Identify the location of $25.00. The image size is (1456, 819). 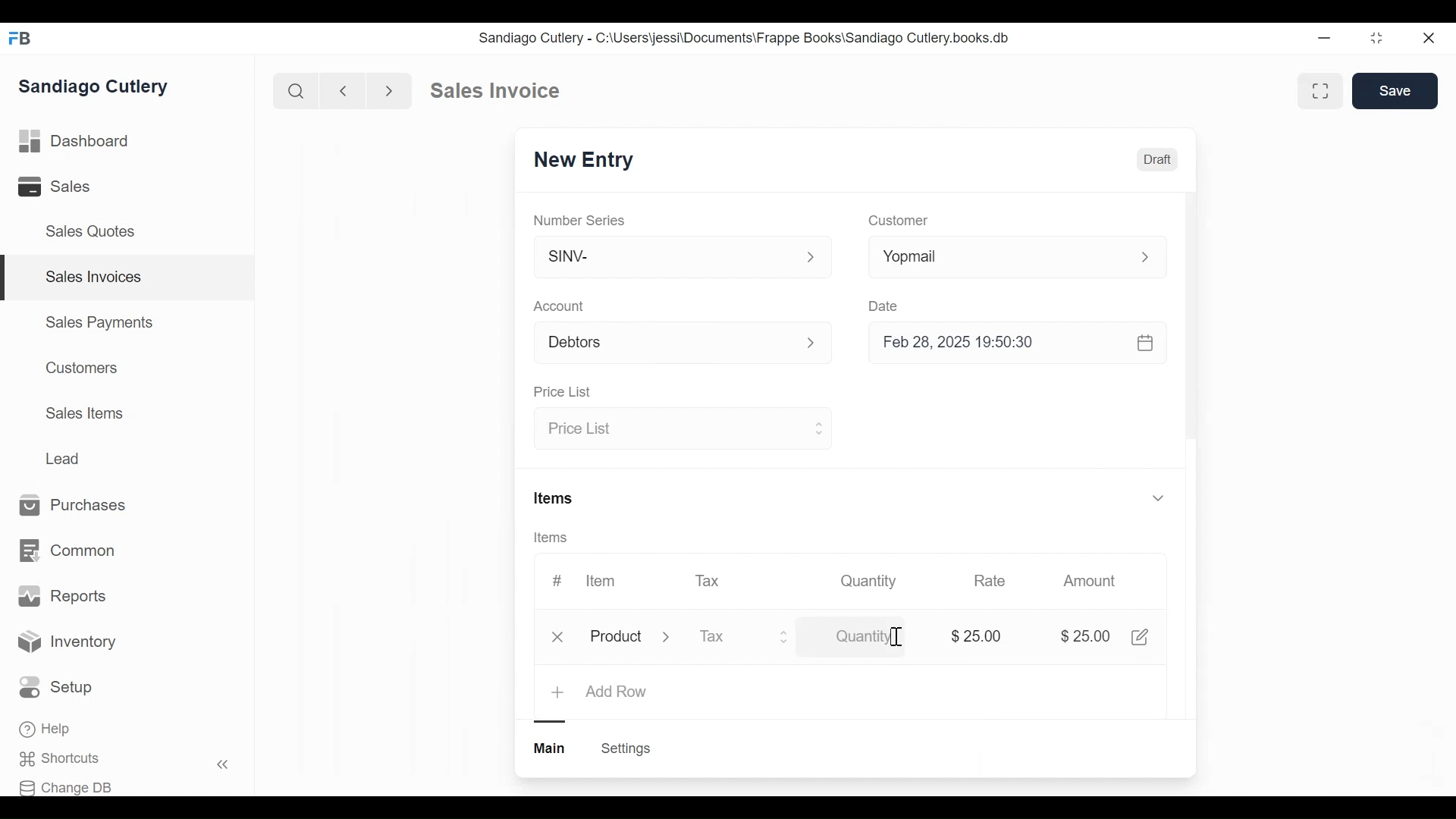
(1087, 636).